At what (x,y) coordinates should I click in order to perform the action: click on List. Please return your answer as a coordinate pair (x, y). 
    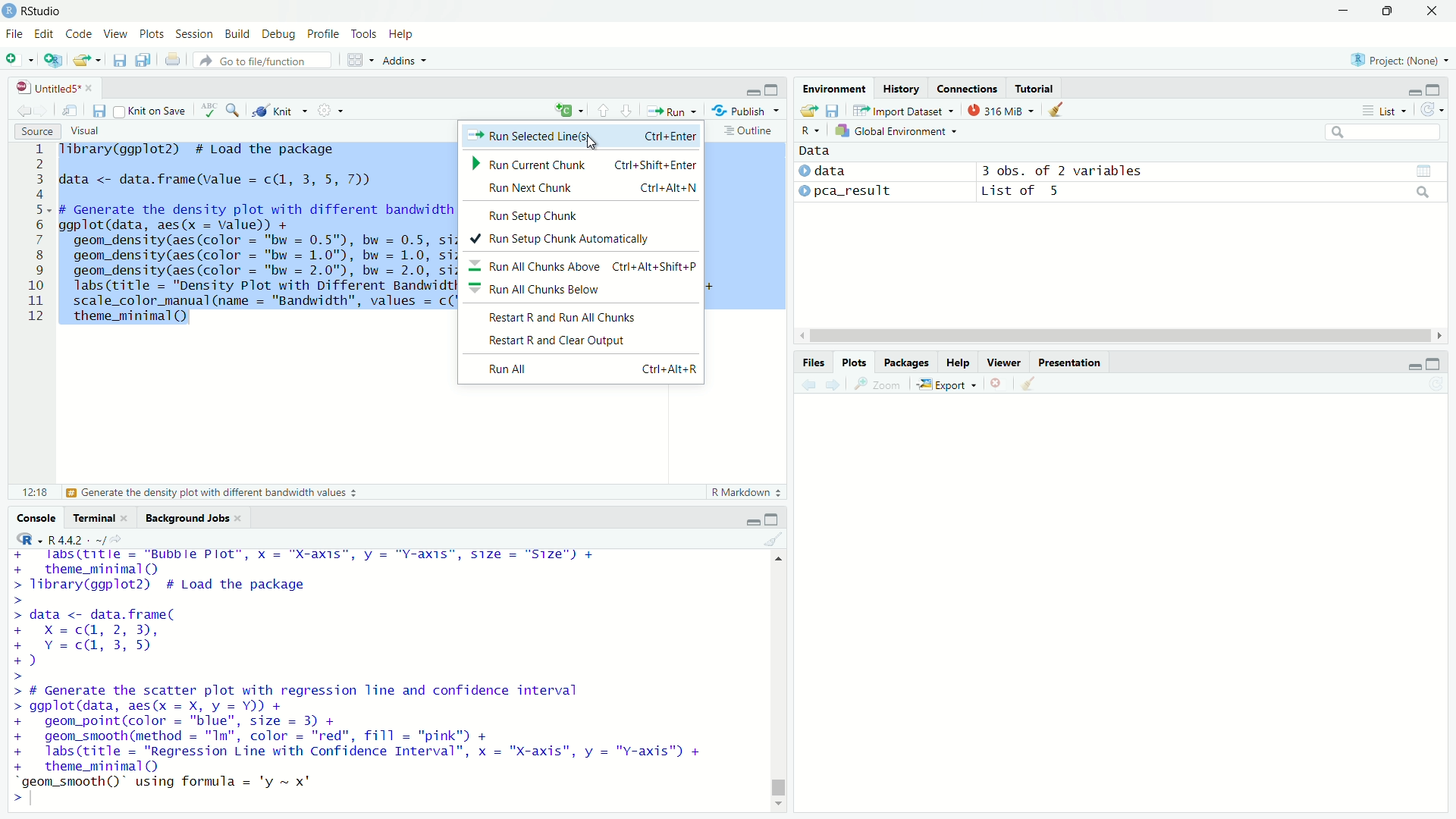
    Looking at the image, I should click on (1385, 110).